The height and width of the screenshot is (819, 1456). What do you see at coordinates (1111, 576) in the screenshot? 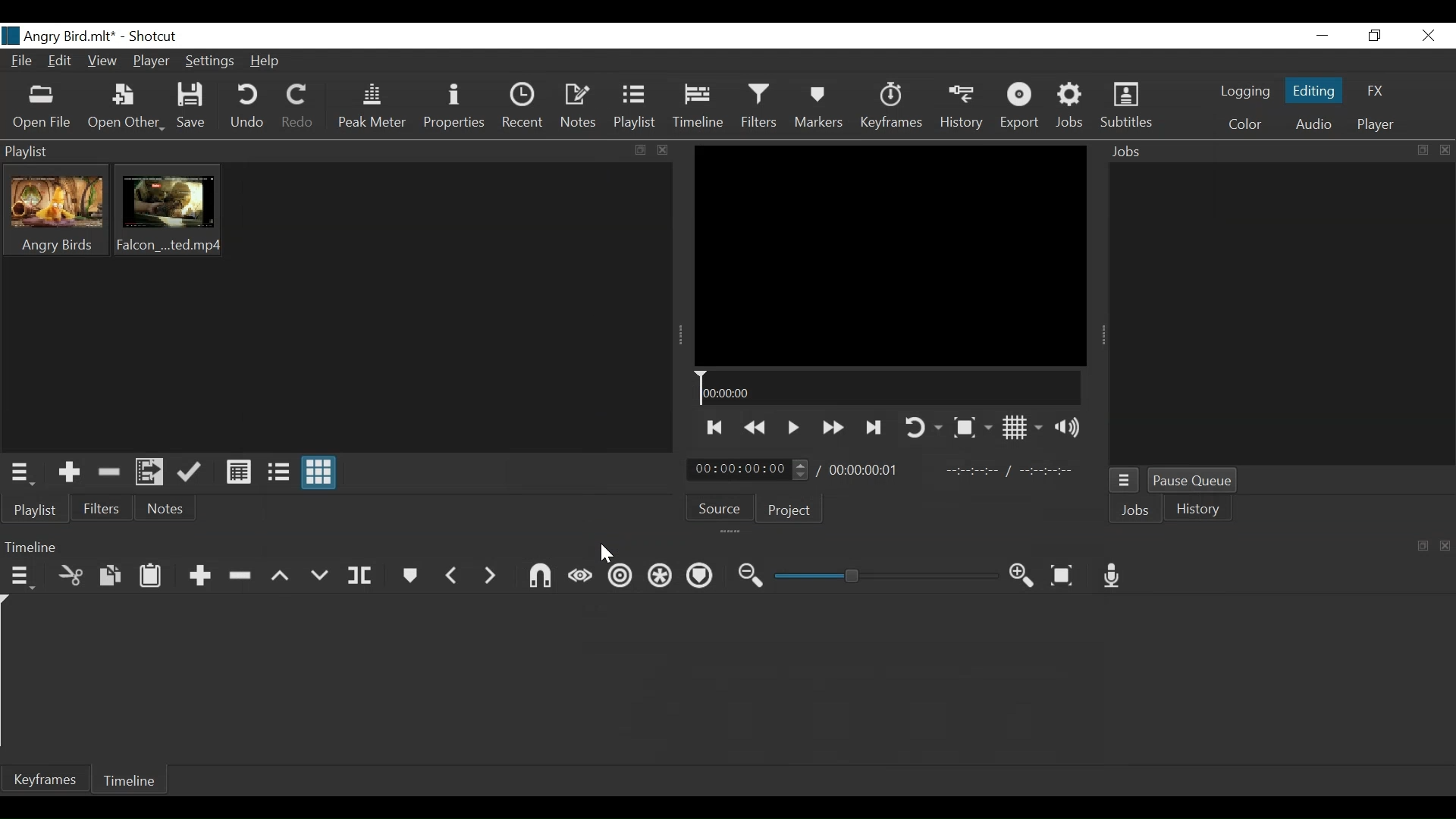
I see `Record audio` at bounding box center [1111, 576].